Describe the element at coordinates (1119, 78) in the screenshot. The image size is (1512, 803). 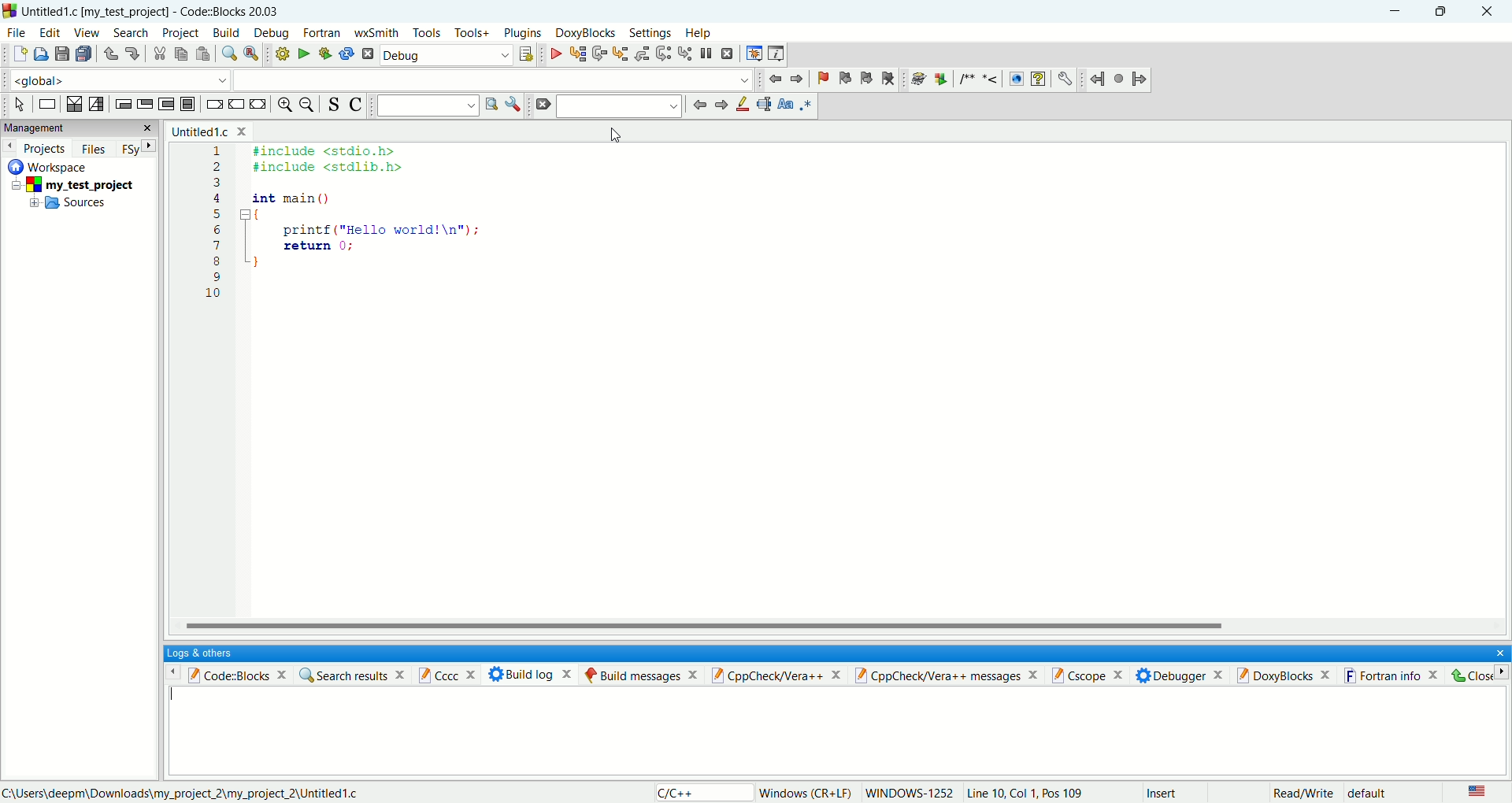
I see `last jump` at that location.